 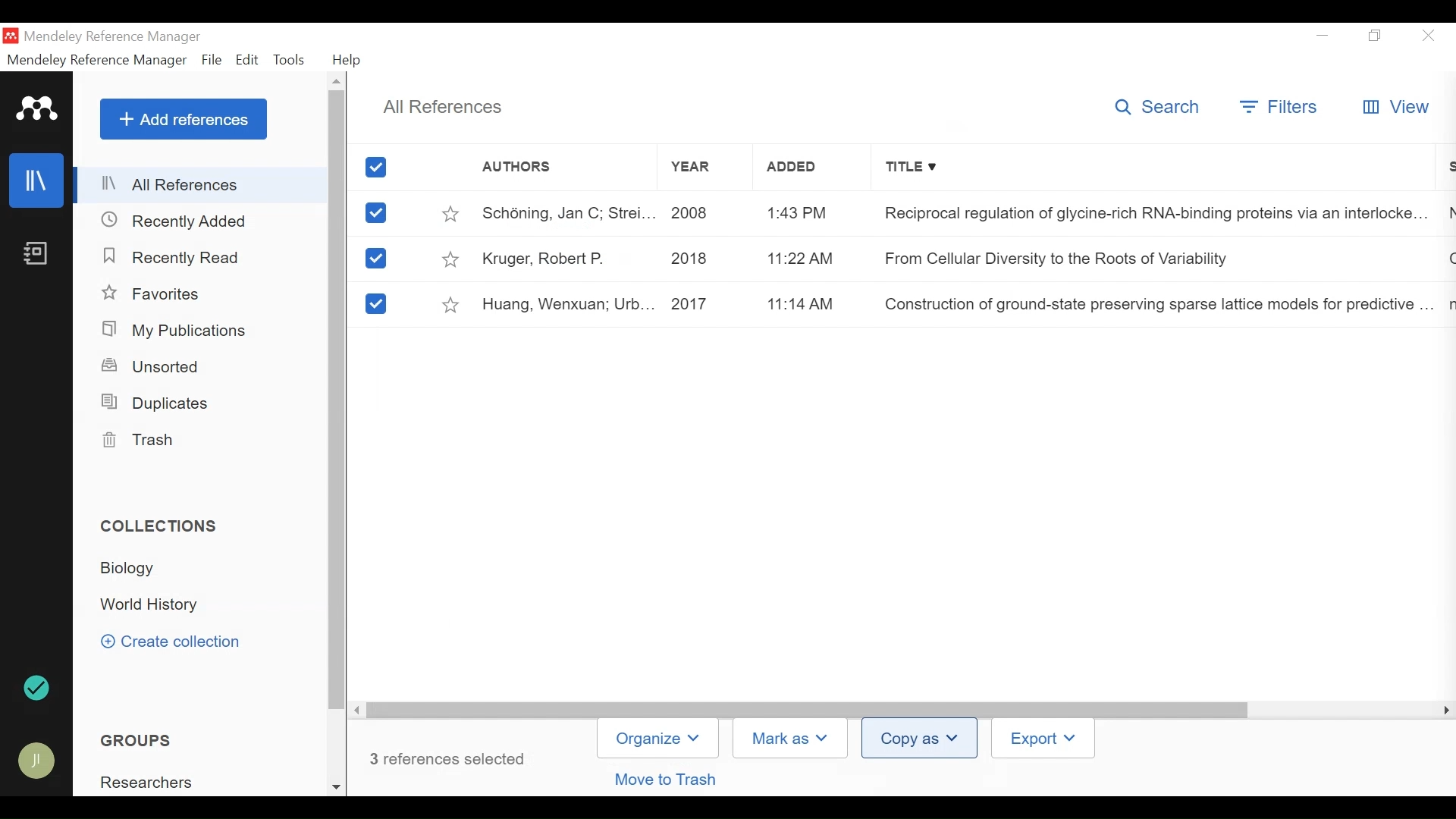 What do you see at coordinates (95, 60) in the screenshot?
I see `Mendeley Reference Manager` at bounding box center [95, 60].